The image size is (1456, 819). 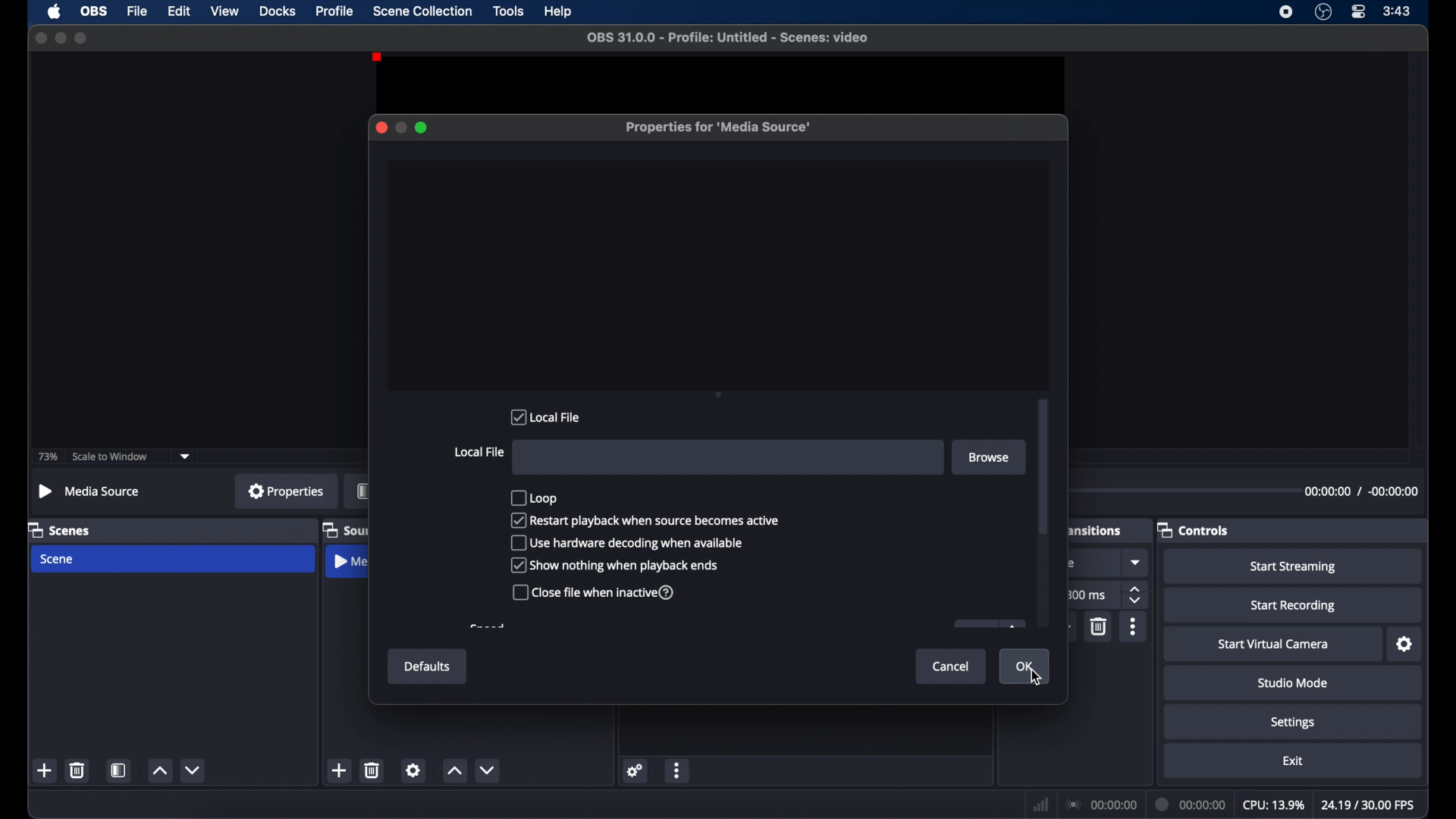 What do you see at coordinates (90, 492) in the screenshot?
I see `no source selected` at bounding box center [90, 492].